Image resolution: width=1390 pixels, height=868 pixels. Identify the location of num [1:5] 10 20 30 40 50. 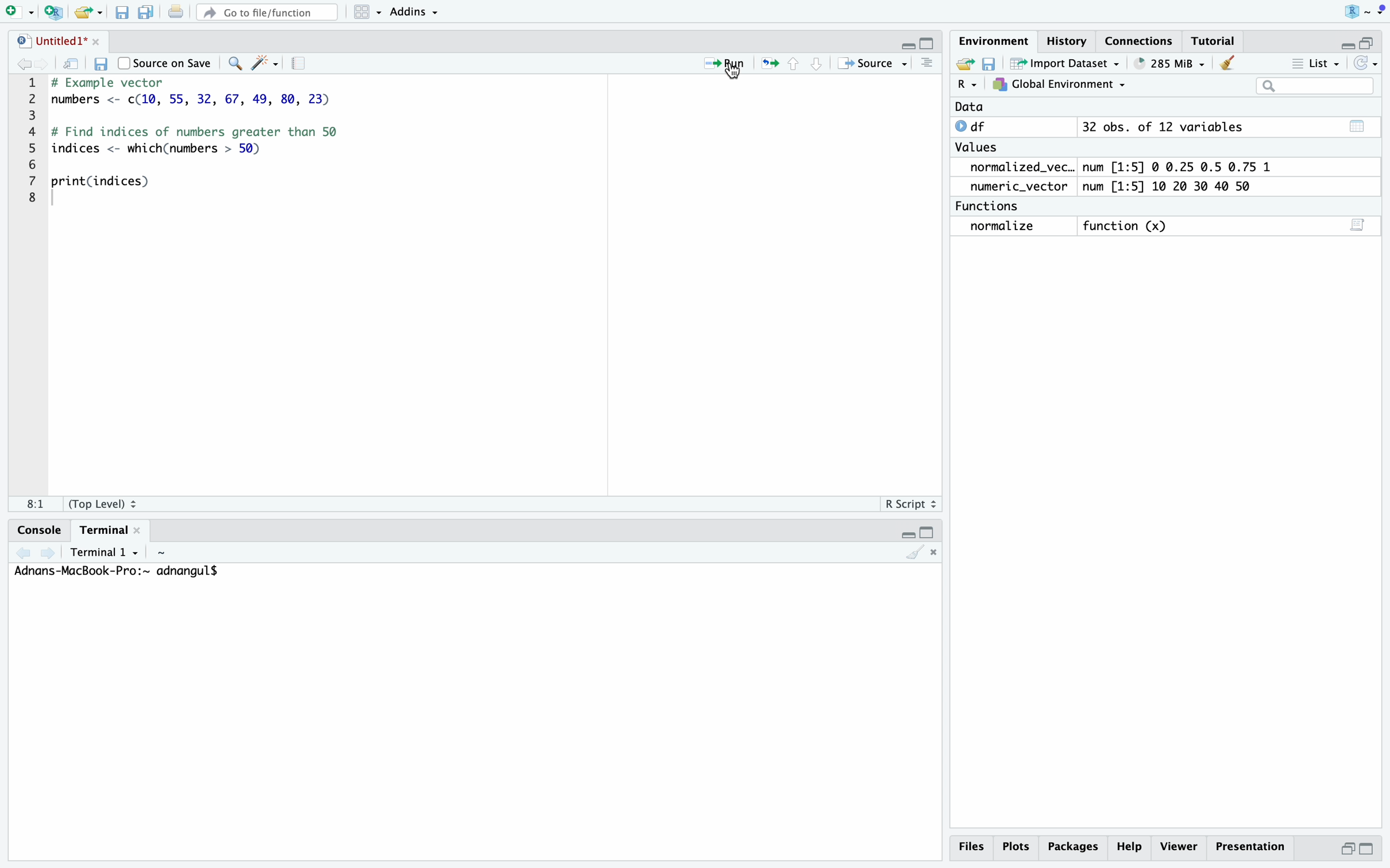
(1178, 186).